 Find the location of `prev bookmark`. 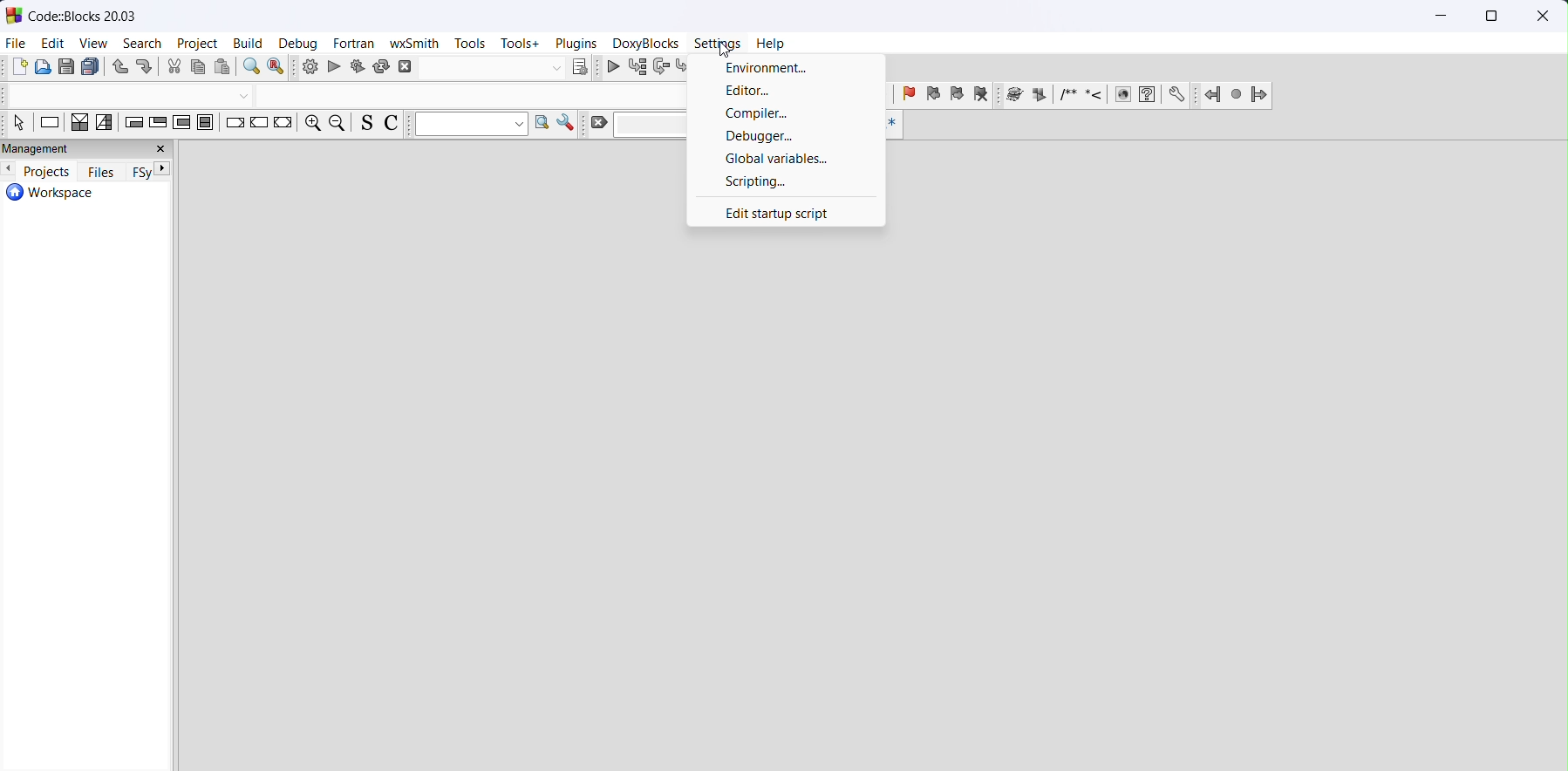

prev bookmark is located at coordinates (933, 95).